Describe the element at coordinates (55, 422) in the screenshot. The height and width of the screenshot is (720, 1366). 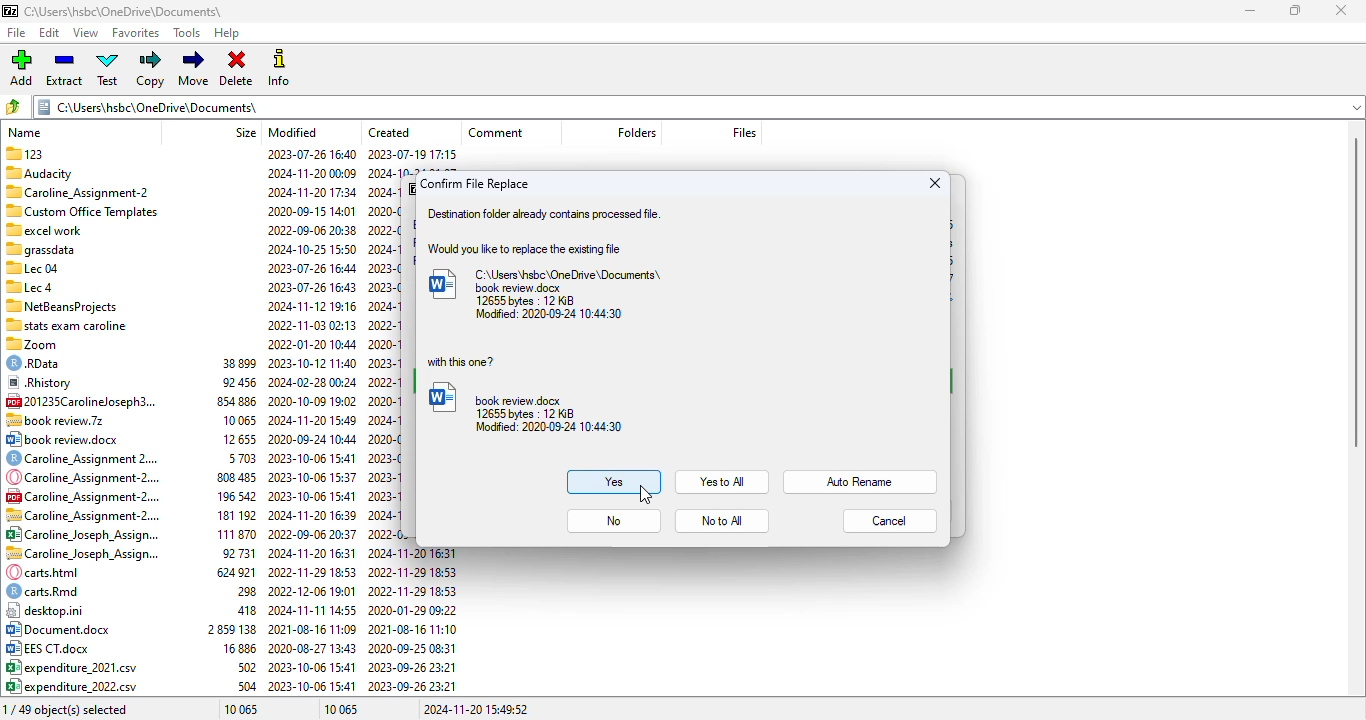
I see `.7z file` at that location.